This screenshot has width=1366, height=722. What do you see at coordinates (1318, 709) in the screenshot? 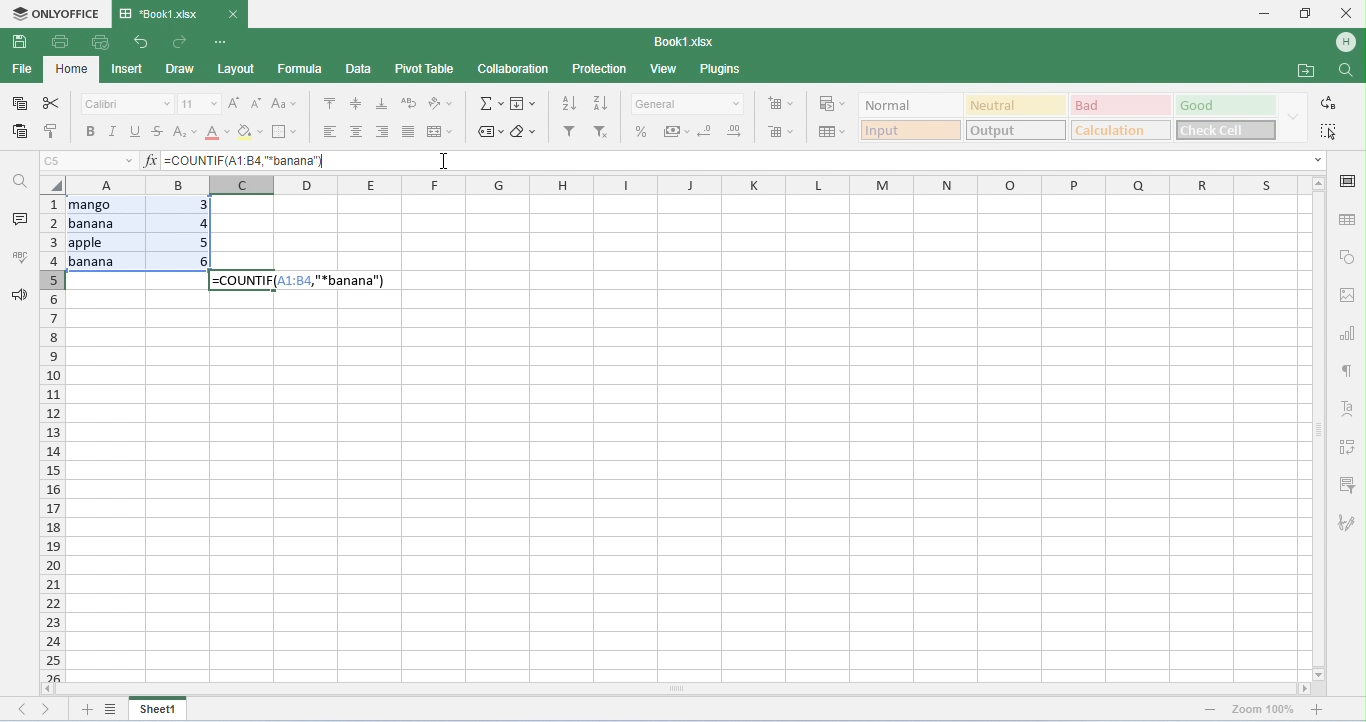
I see `zoom out` at bounding box center [1318, 709].